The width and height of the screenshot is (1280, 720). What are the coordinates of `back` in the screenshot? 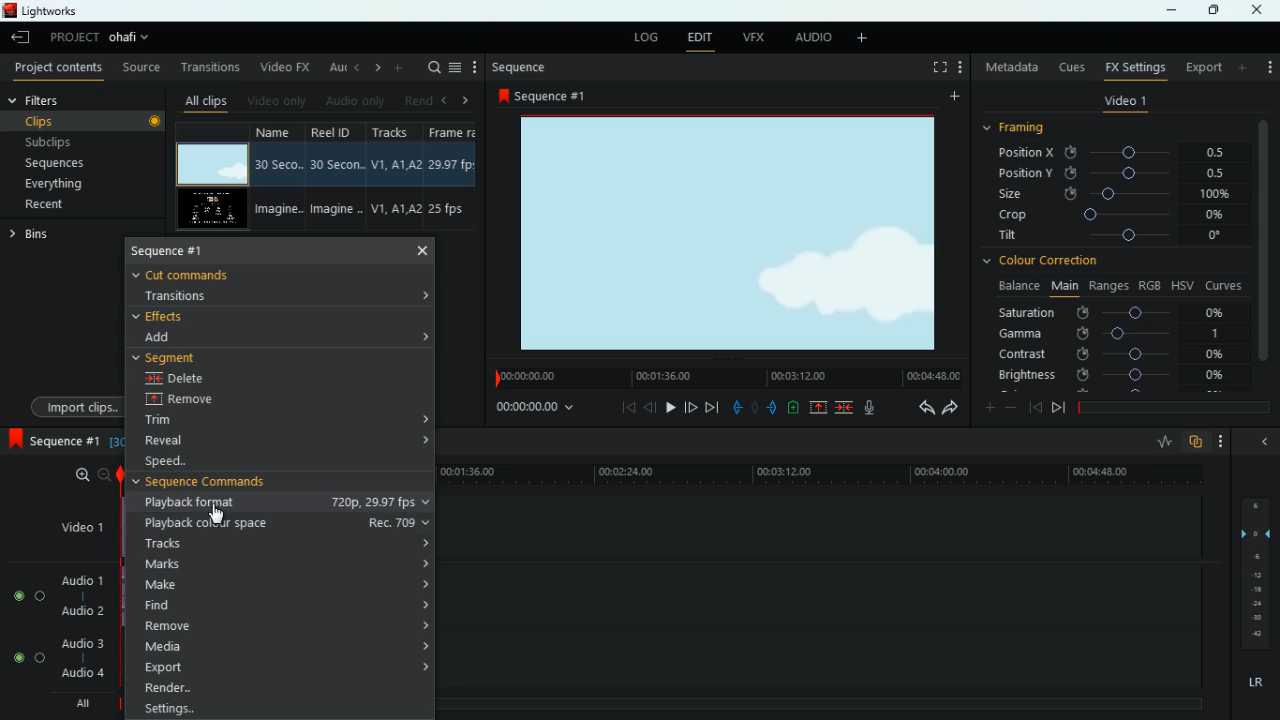 It's located at (653, 407).